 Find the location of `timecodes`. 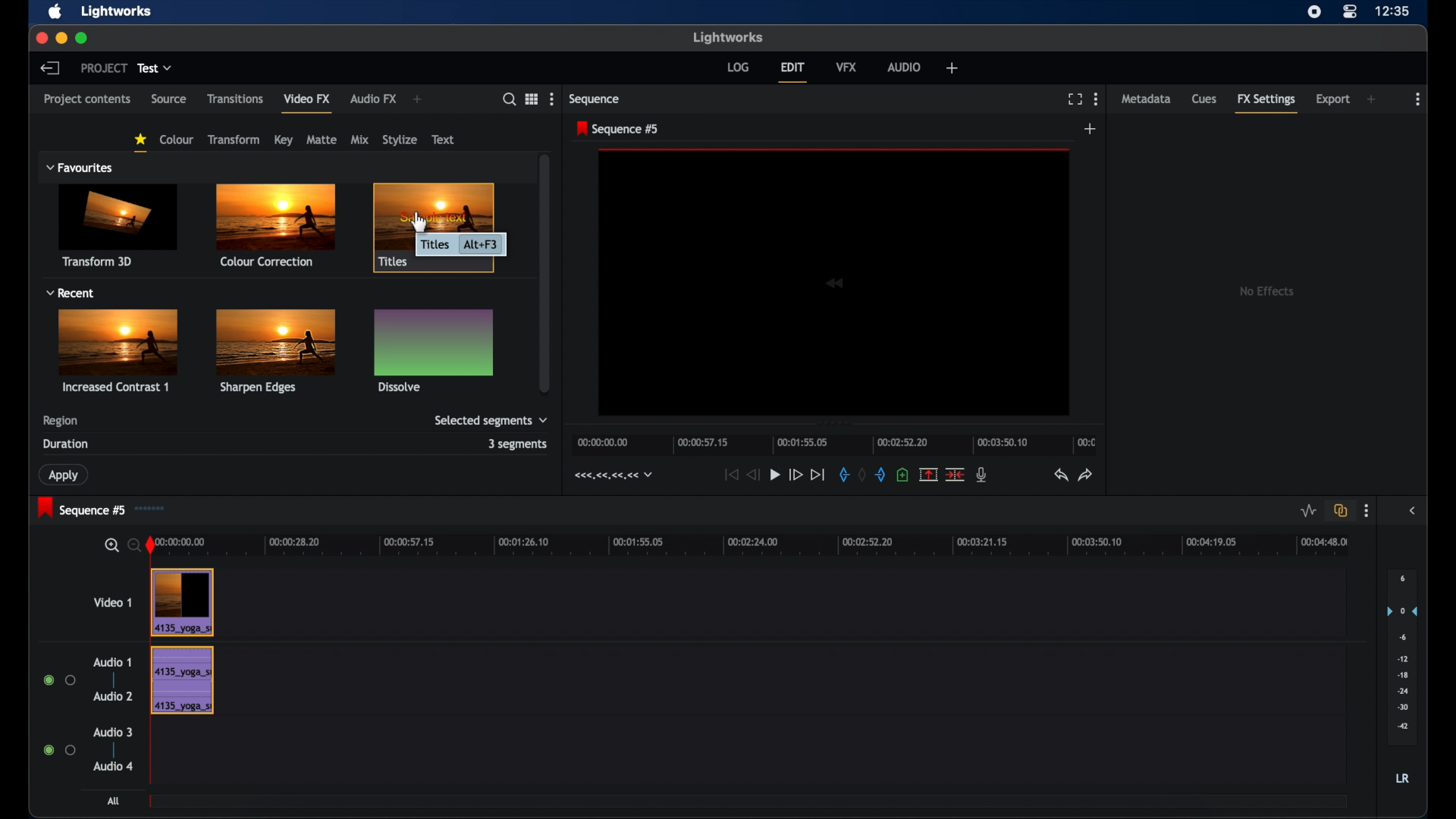

timecodes is located at coordinates (611, 475).